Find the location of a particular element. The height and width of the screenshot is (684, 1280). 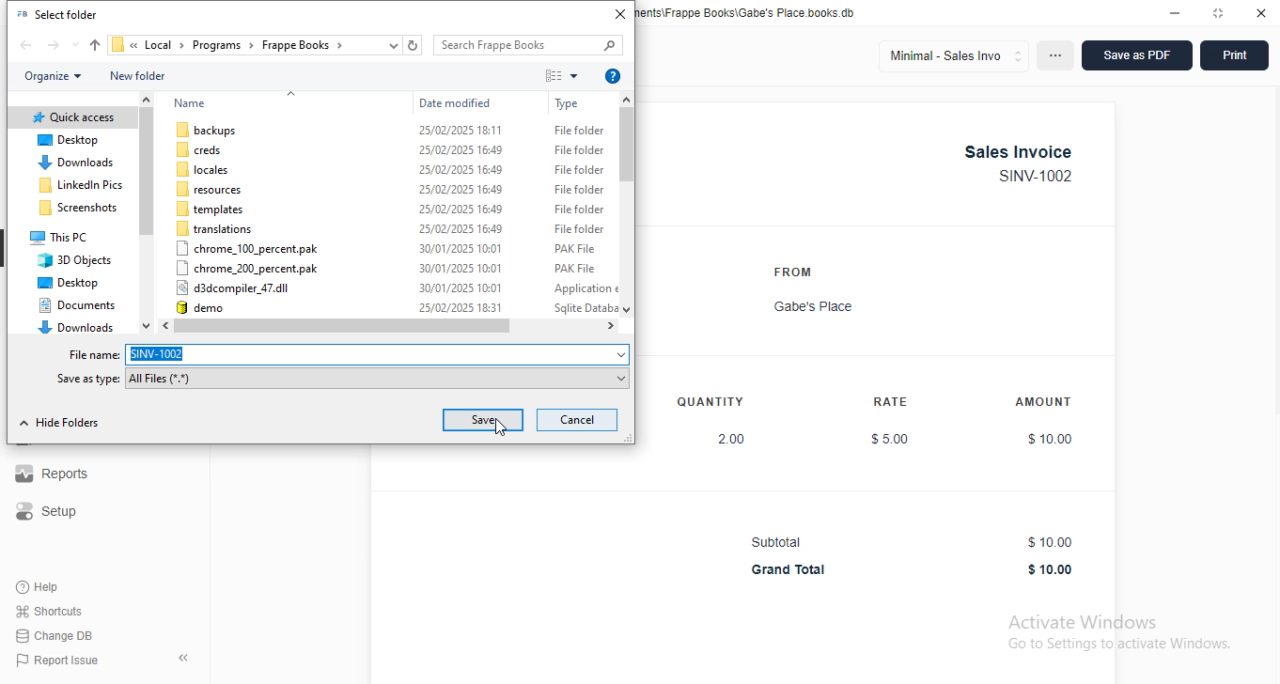

file folder is located at coordinates (579, 229).